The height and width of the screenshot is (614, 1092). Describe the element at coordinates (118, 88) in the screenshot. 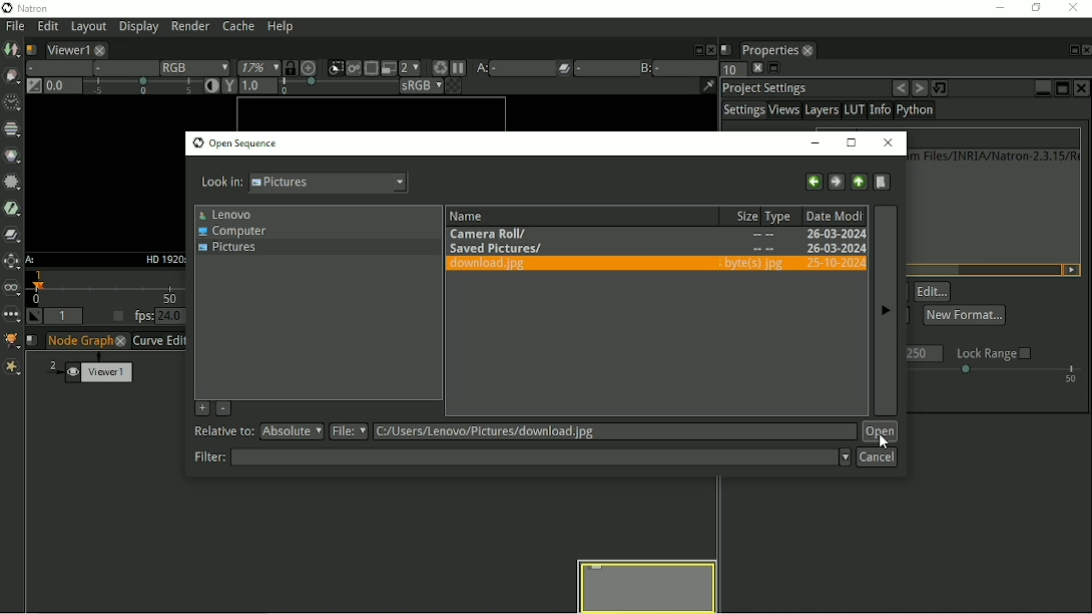

I see `Gain` at that location.